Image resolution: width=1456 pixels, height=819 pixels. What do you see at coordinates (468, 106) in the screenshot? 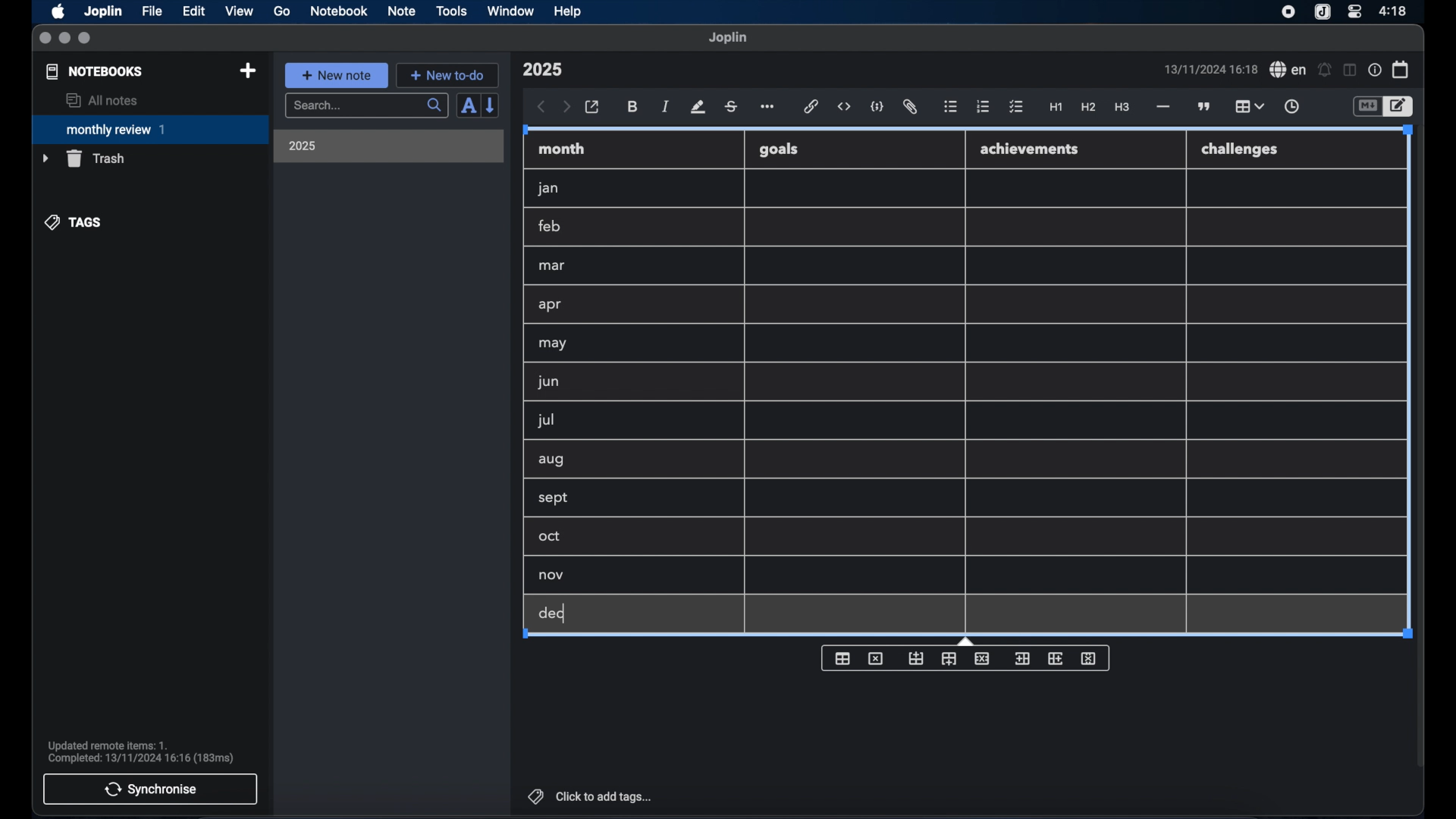
I see `sort order field` at bounding box center [468, 106].